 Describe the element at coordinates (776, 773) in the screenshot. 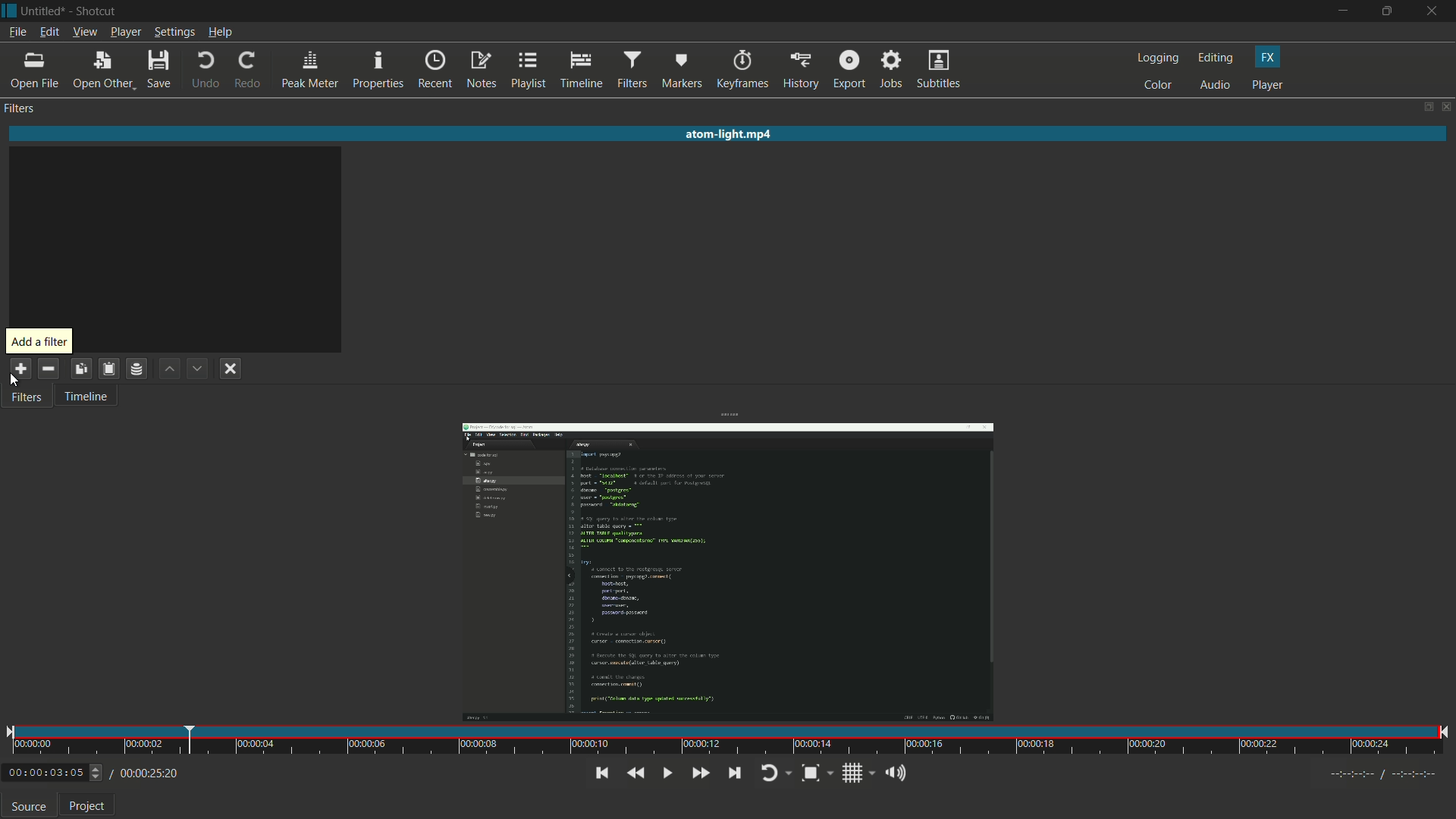

I see `toggle player looping` at that location.